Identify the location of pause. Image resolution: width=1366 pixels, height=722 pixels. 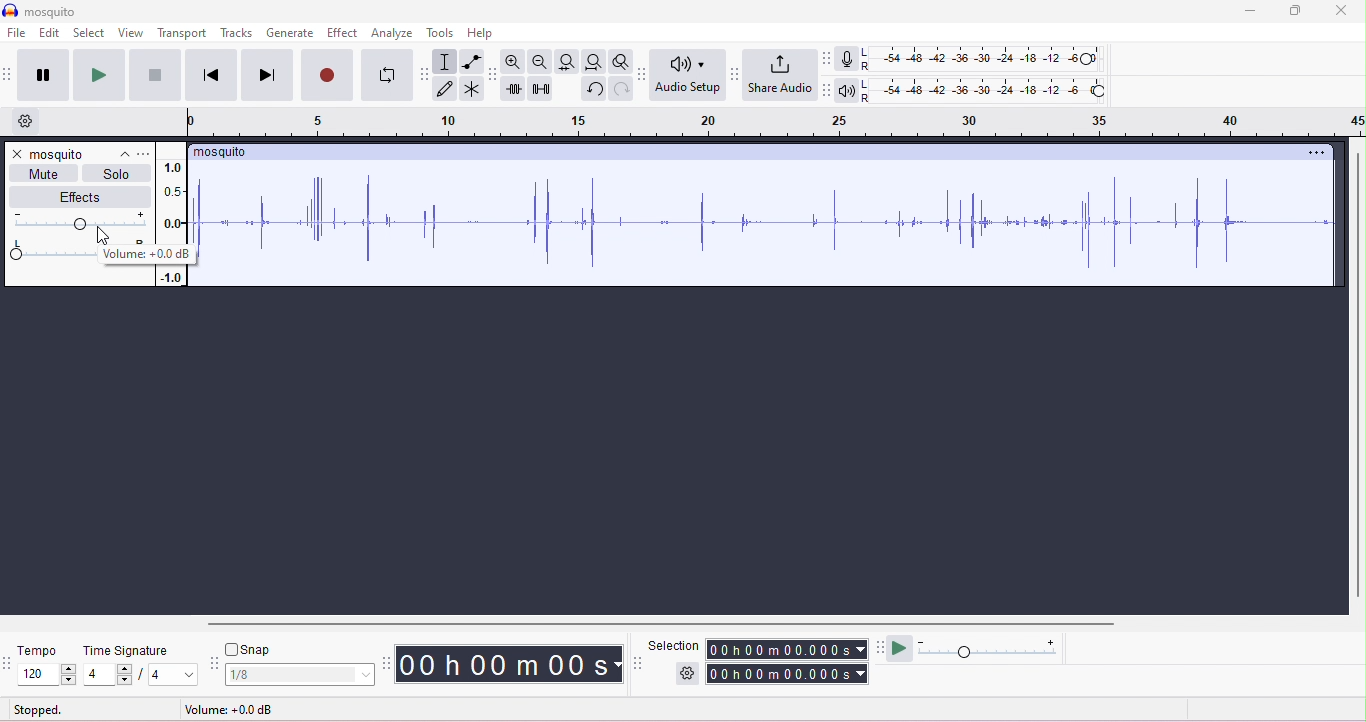
(39, 75).